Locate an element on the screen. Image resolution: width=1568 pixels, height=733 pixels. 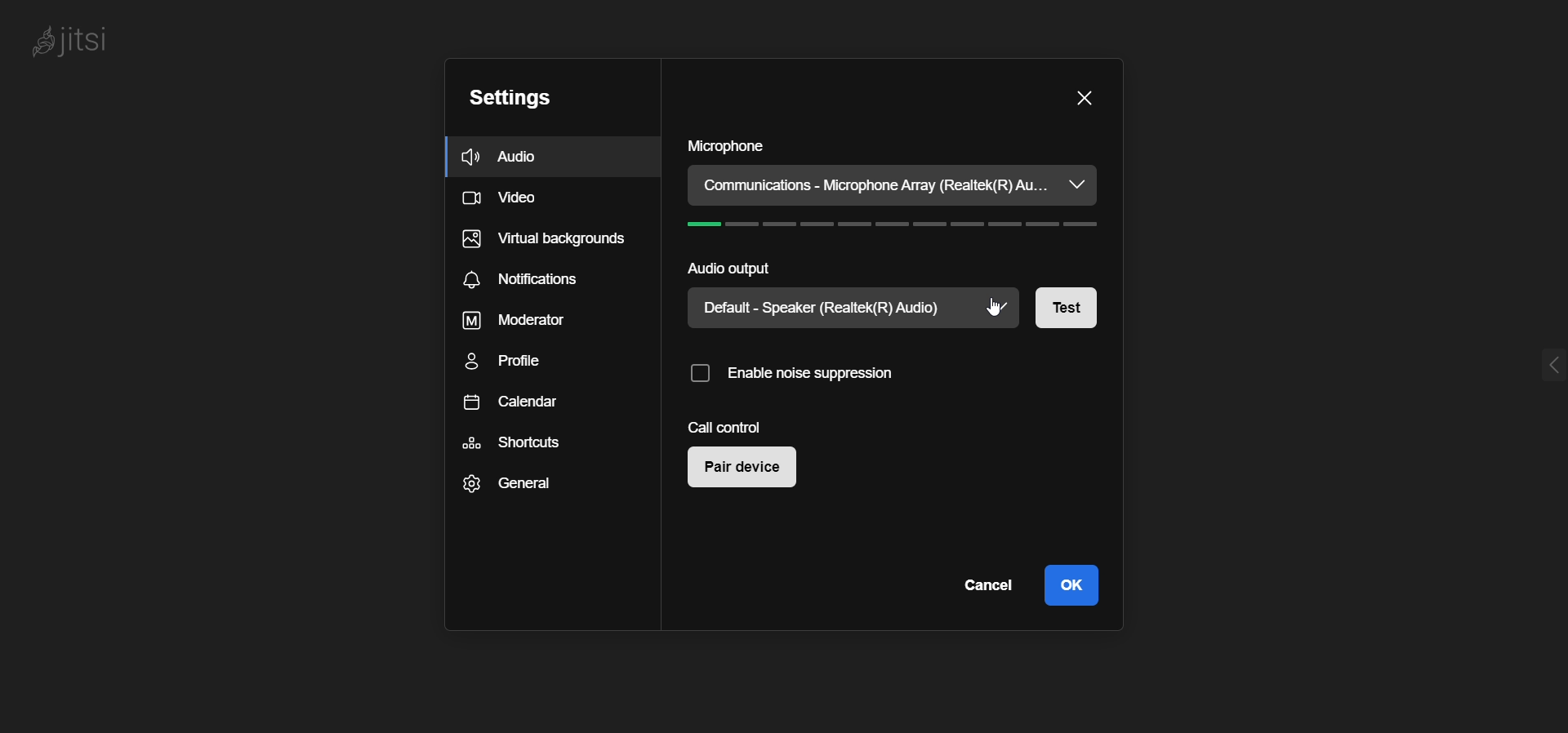
general is located at coordinates (503, 486).